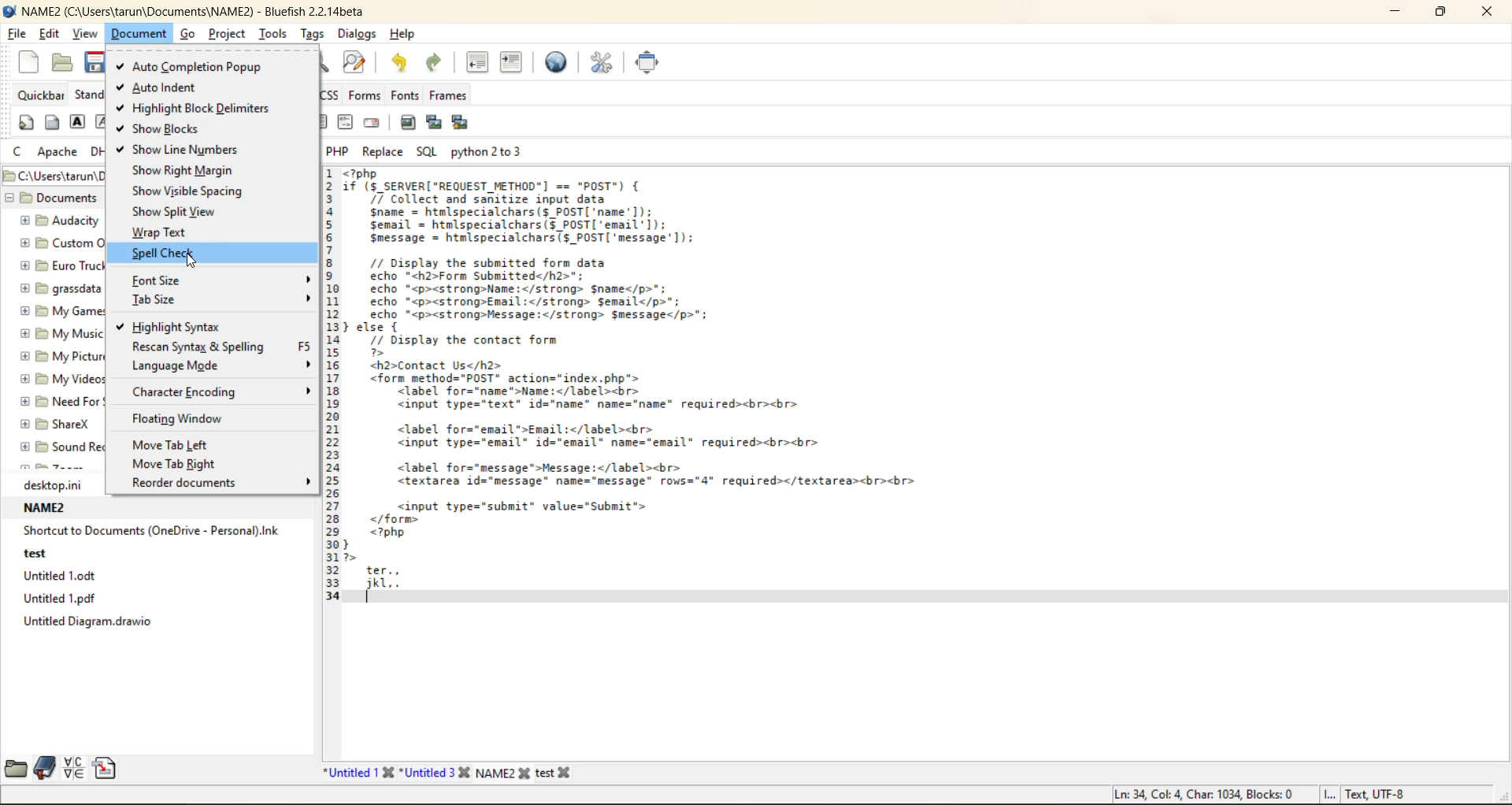 Image resolution: width=1512 pixels, height=805 pixels. What do you see at coordinates (1260, 793) in the screenshot?
I see `metadata` at bounding box center [1260, 793].